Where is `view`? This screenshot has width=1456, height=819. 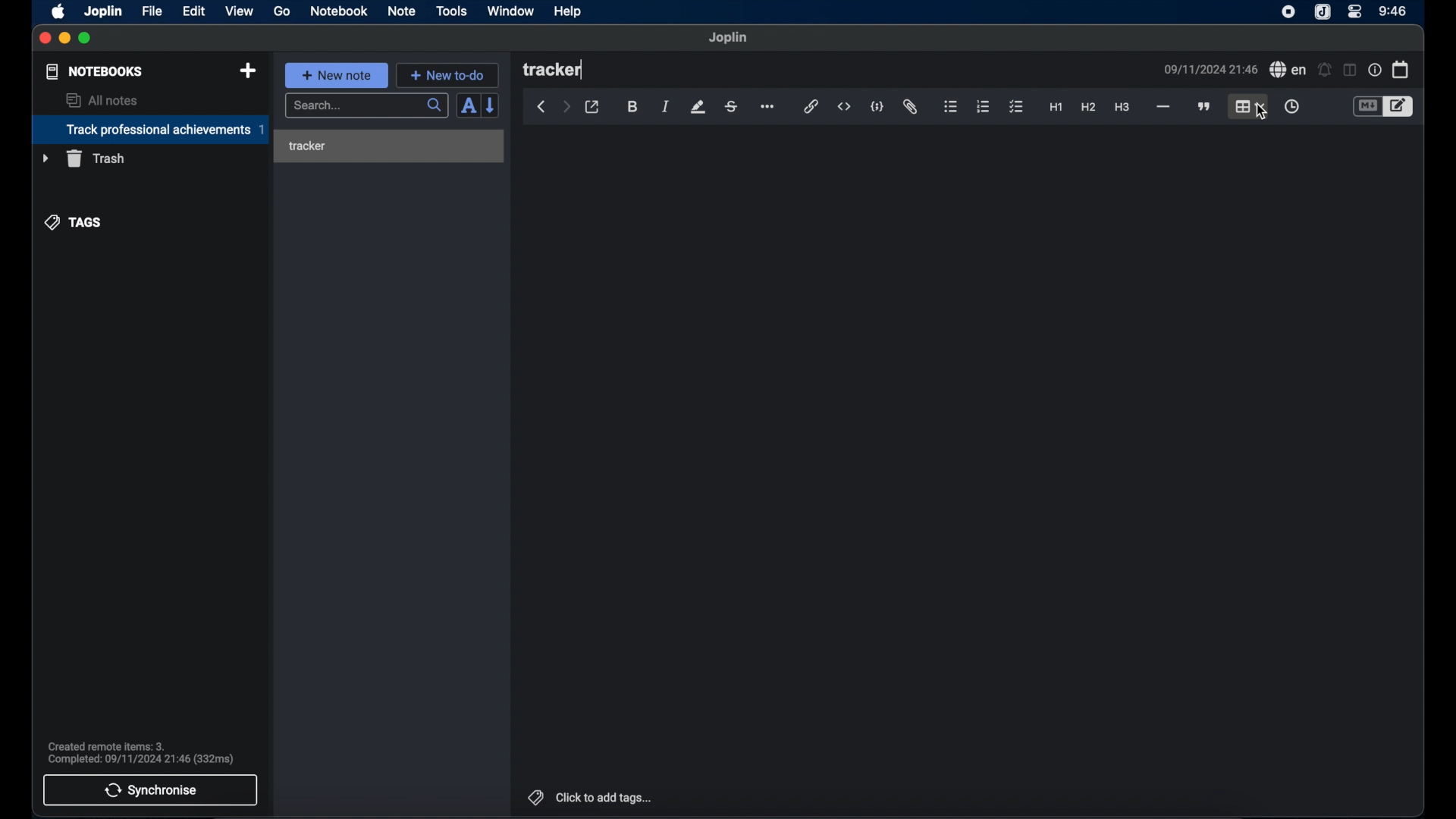 view is located at coordinates (239, 11).